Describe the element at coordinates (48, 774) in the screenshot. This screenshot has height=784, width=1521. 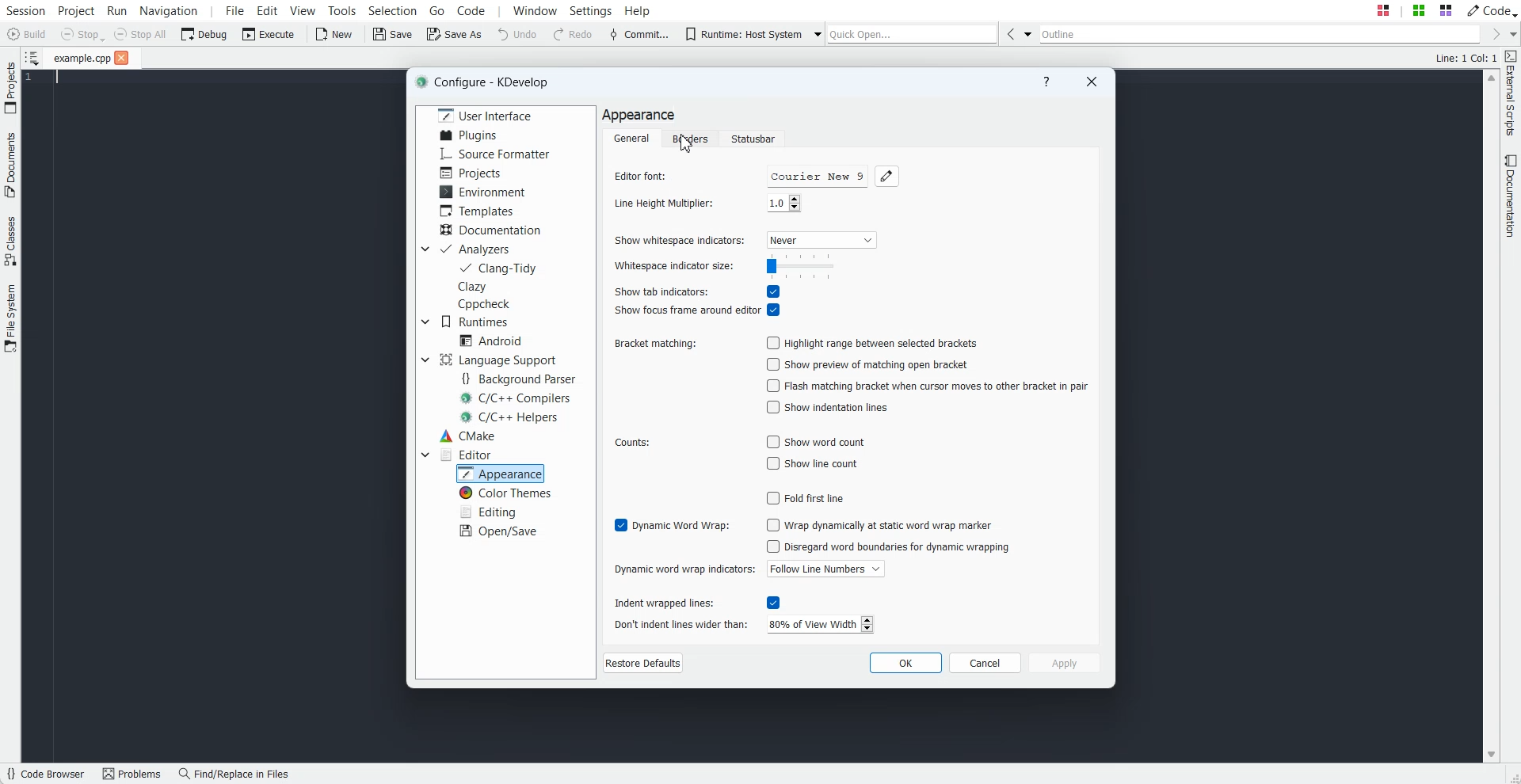
I see `Code Browser` at that location.